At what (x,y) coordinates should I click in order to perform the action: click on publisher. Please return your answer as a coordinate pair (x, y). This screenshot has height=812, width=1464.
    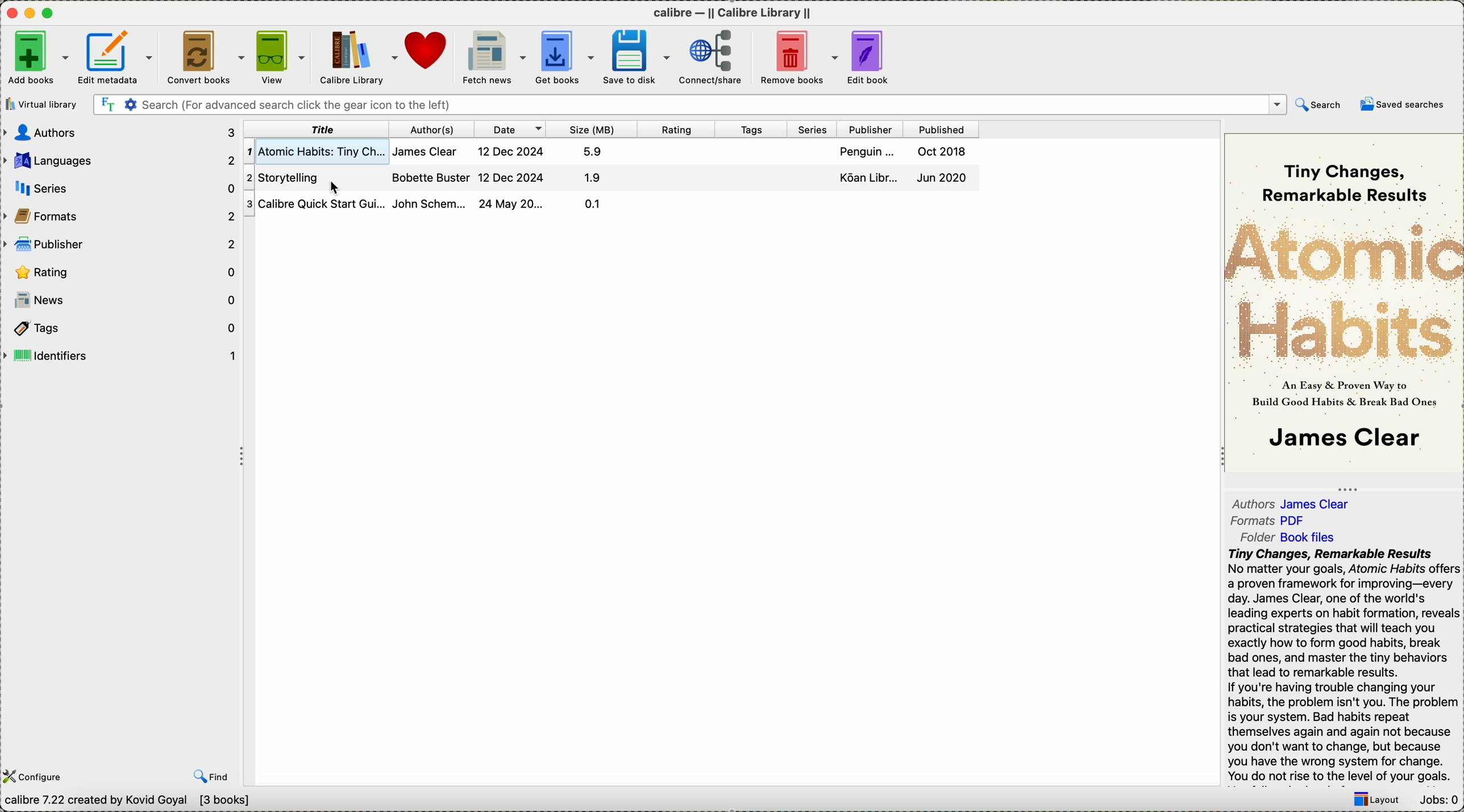
    Looking at the image, I should click on (123, 243).